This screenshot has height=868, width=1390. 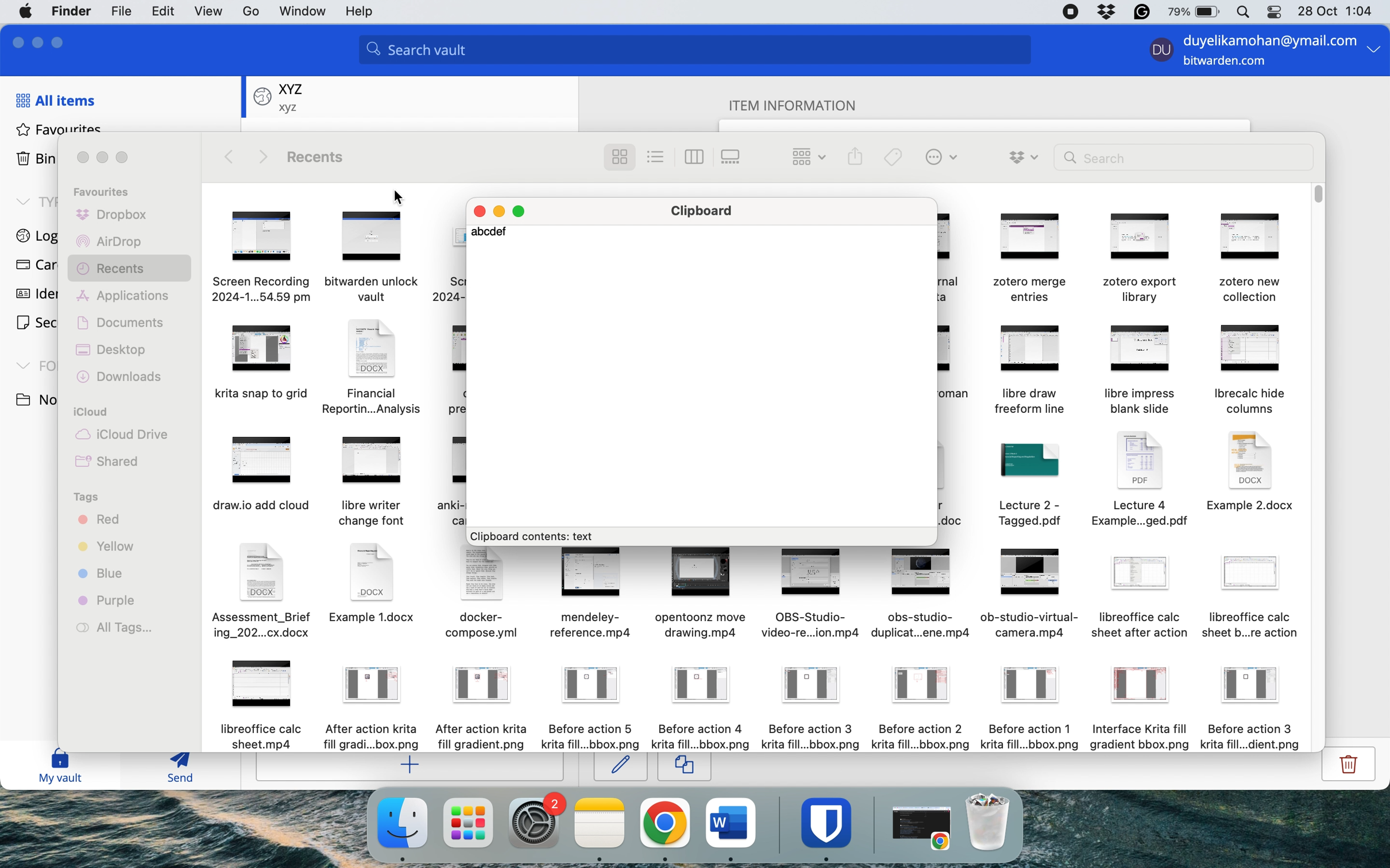 I want to click on minimise, so click(x=102, y=158).